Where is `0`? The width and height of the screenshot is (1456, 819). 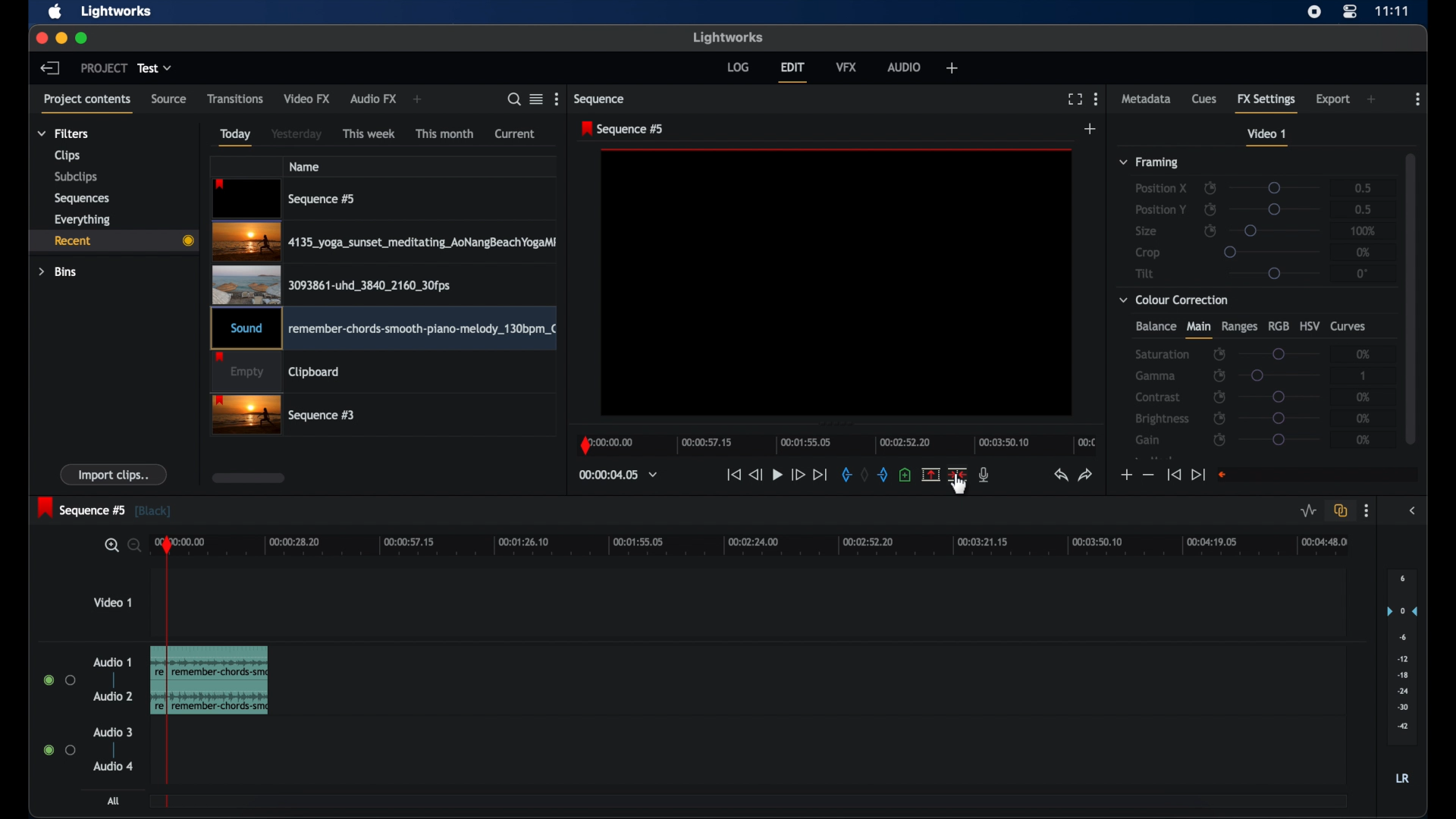 0 is located at coordinates (1362, 273).